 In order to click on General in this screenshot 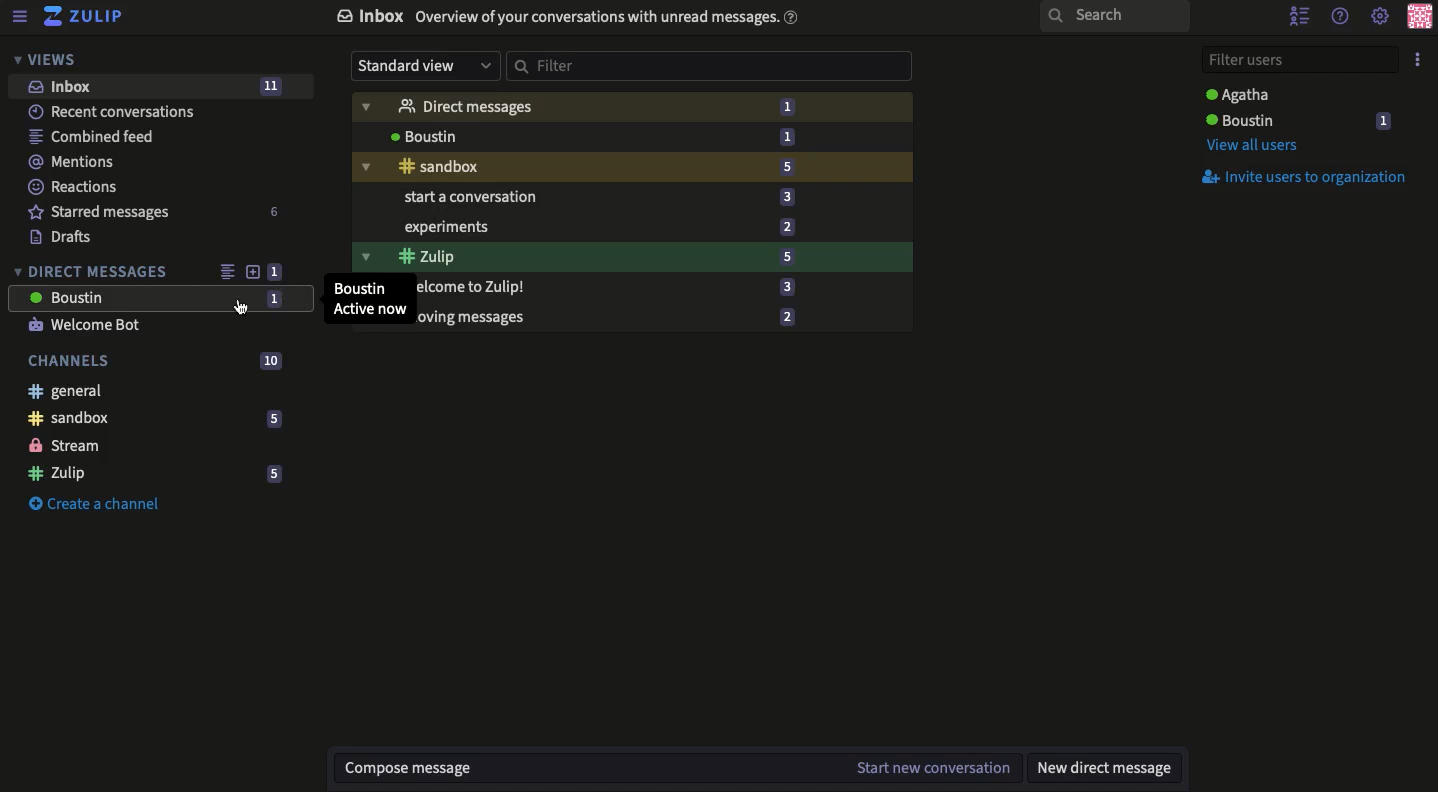, I will do `click(66, 391)`.